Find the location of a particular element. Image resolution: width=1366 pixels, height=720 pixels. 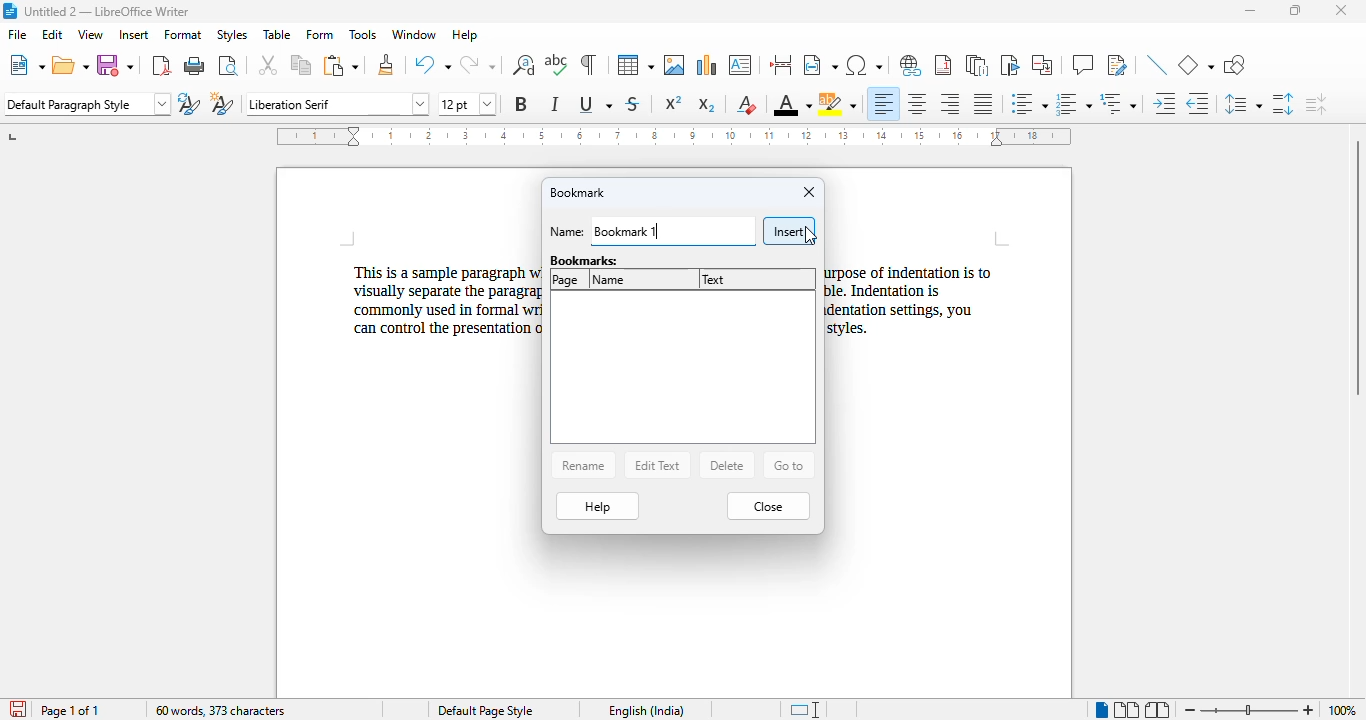

multi-page view is located at coordinates (1126, 709).